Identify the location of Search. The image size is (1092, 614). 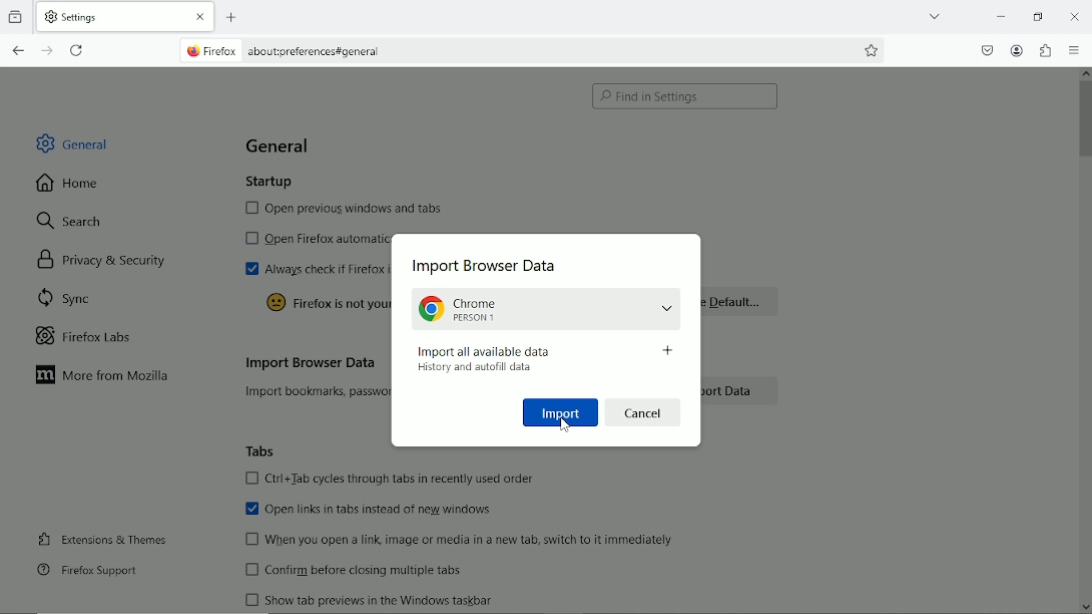
(69, 219).